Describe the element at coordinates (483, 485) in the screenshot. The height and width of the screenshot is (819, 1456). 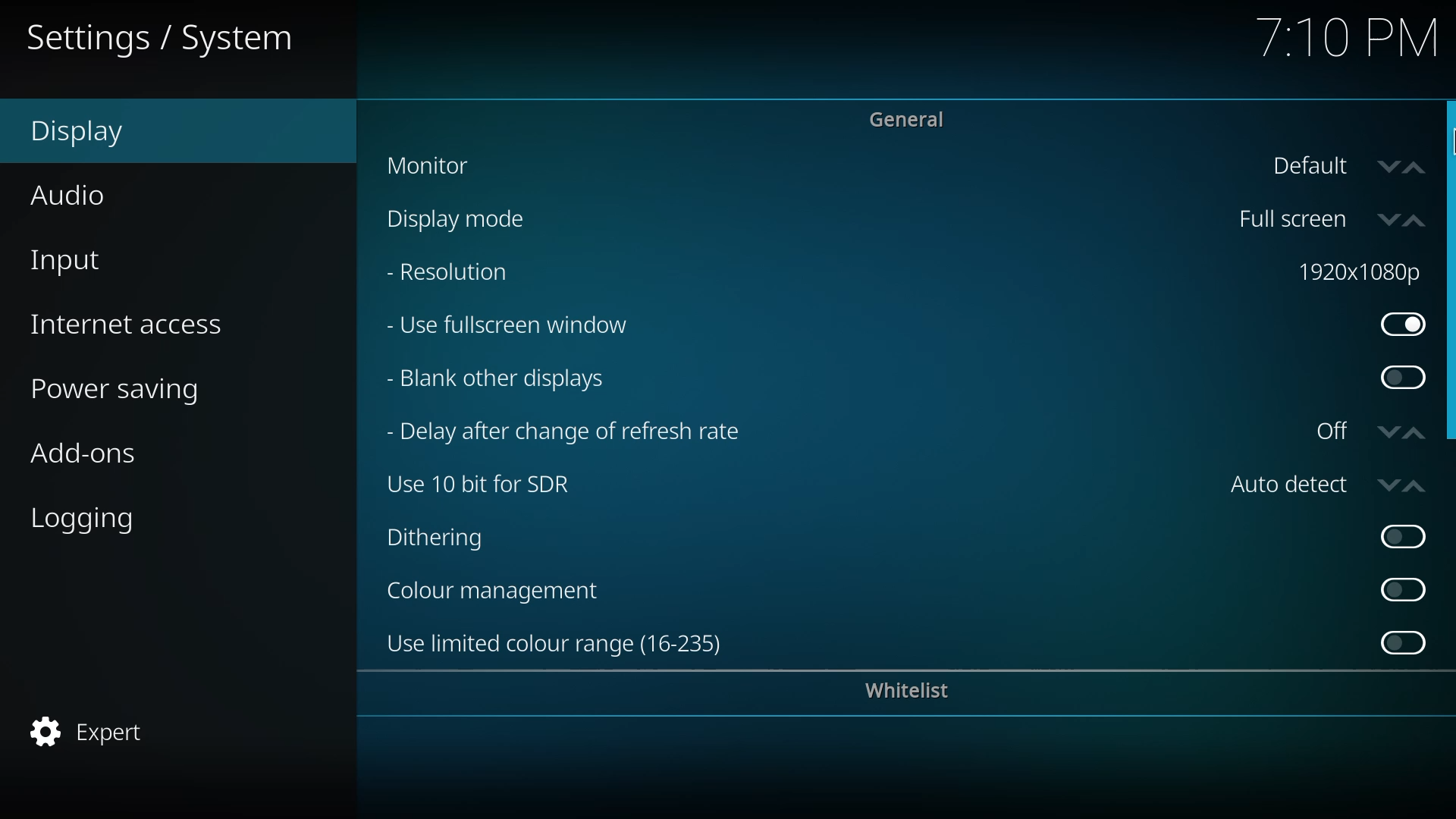
I see `` at that location.